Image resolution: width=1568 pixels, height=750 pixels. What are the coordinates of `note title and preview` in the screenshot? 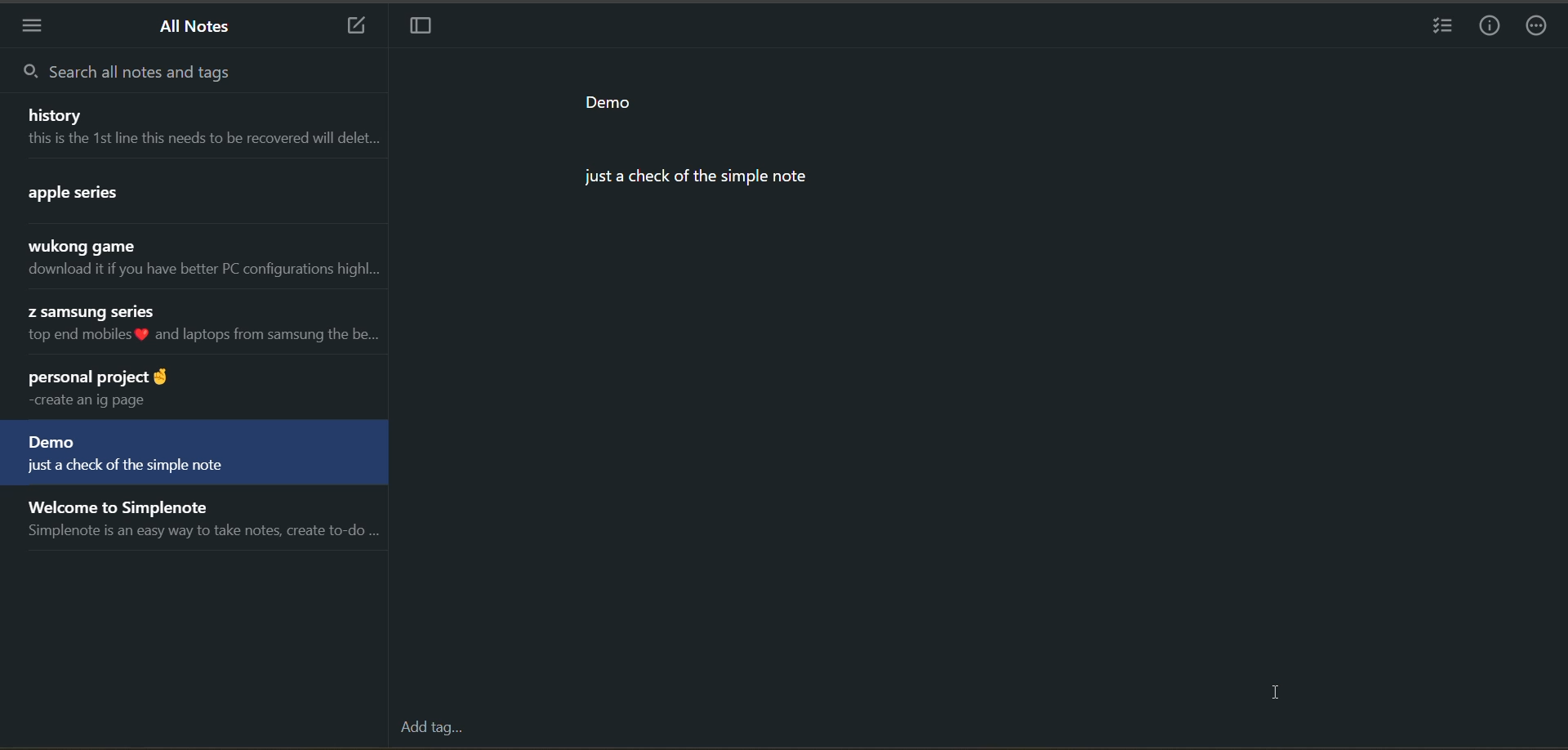 It's located at (194, 125).